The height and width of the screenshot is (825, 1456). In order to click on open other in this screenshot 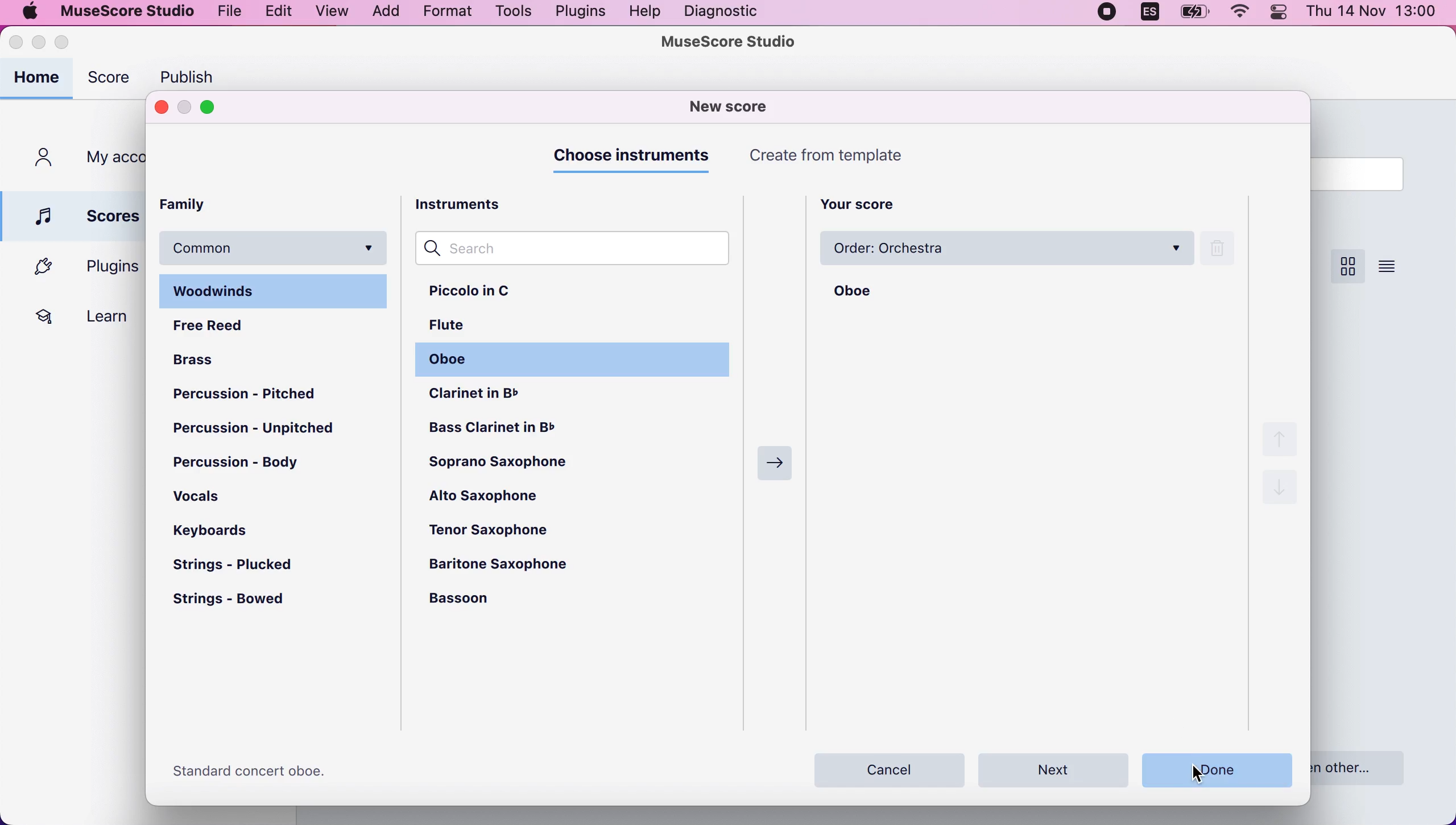, I will do `click(1368, 766)`.